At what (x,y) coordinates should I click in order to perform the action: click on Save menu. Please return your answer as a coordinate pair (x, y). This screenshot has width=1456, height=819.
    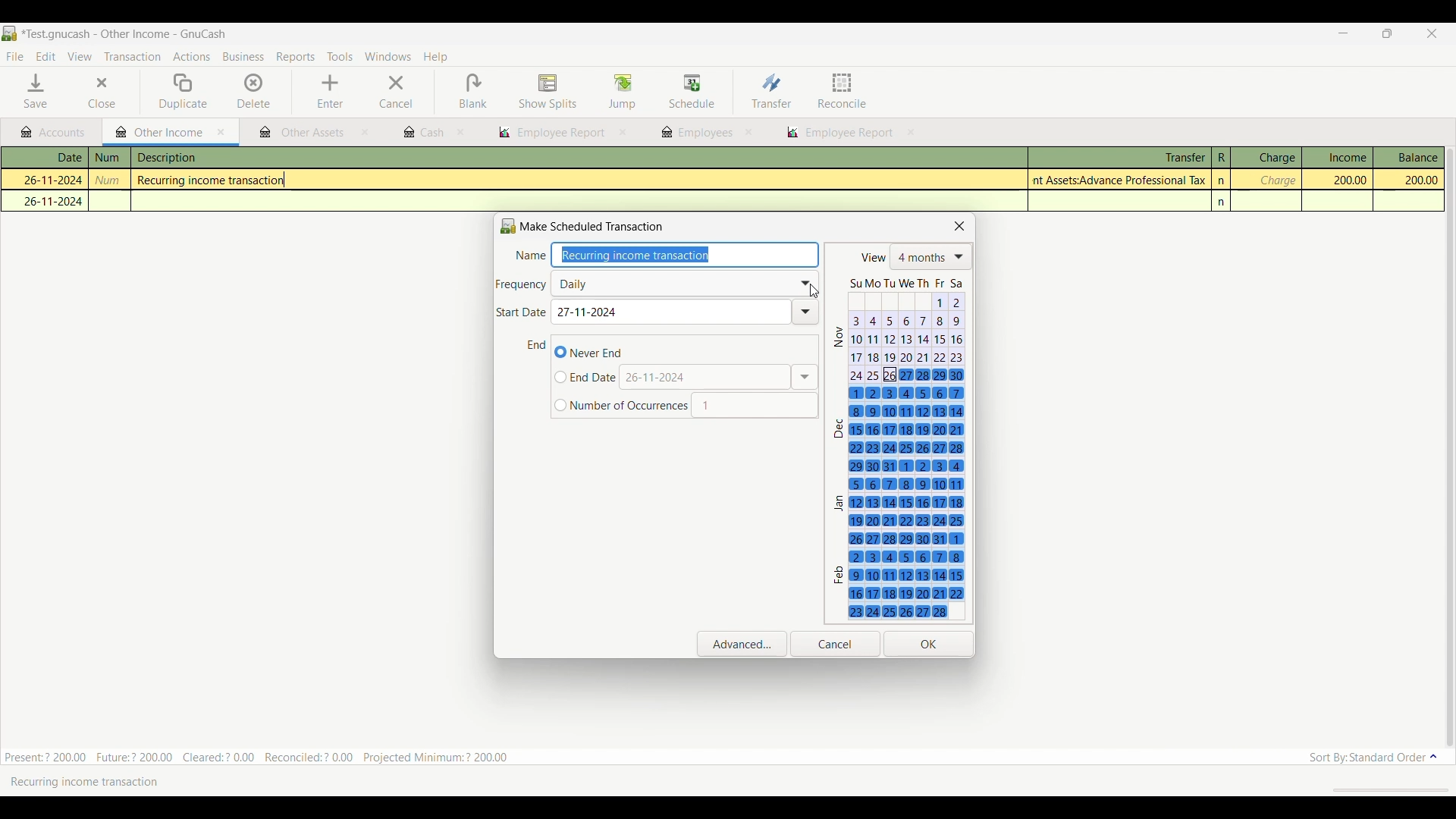
    Looking at the image, I should click on (37, 91).